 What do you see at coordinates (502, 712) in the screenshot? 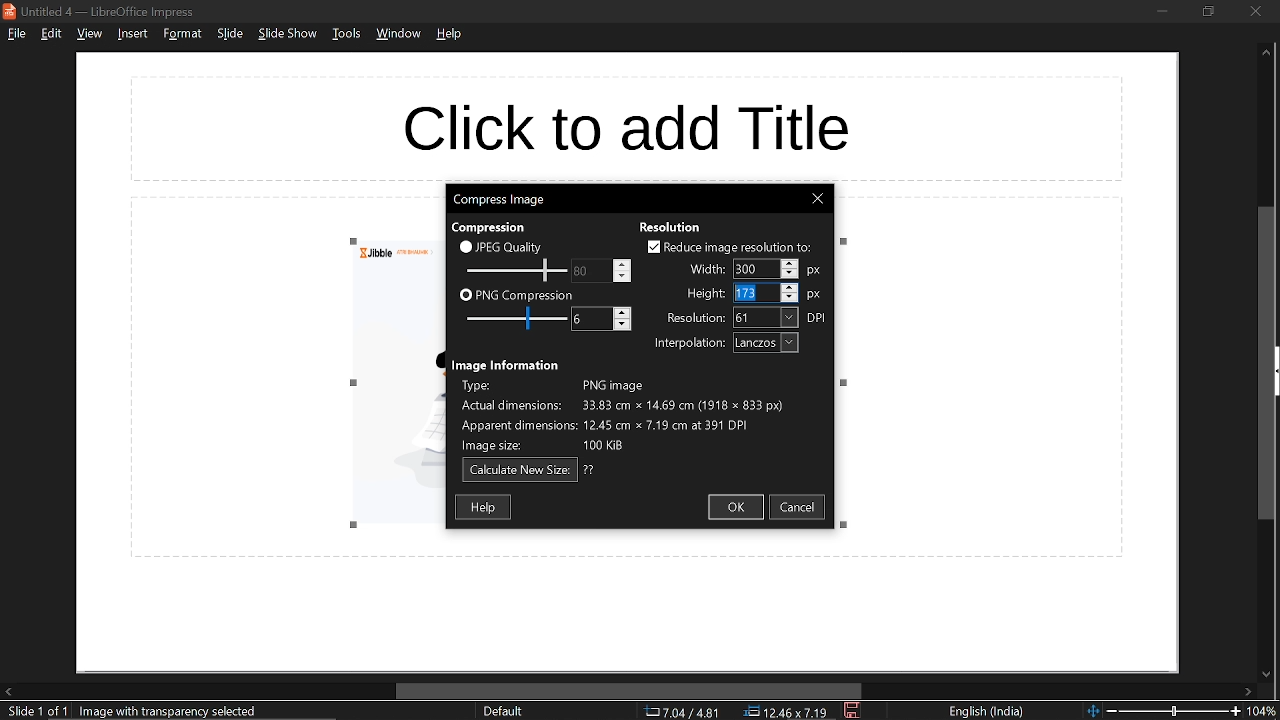
I see `sheet style` at bounding box center [502, 712].